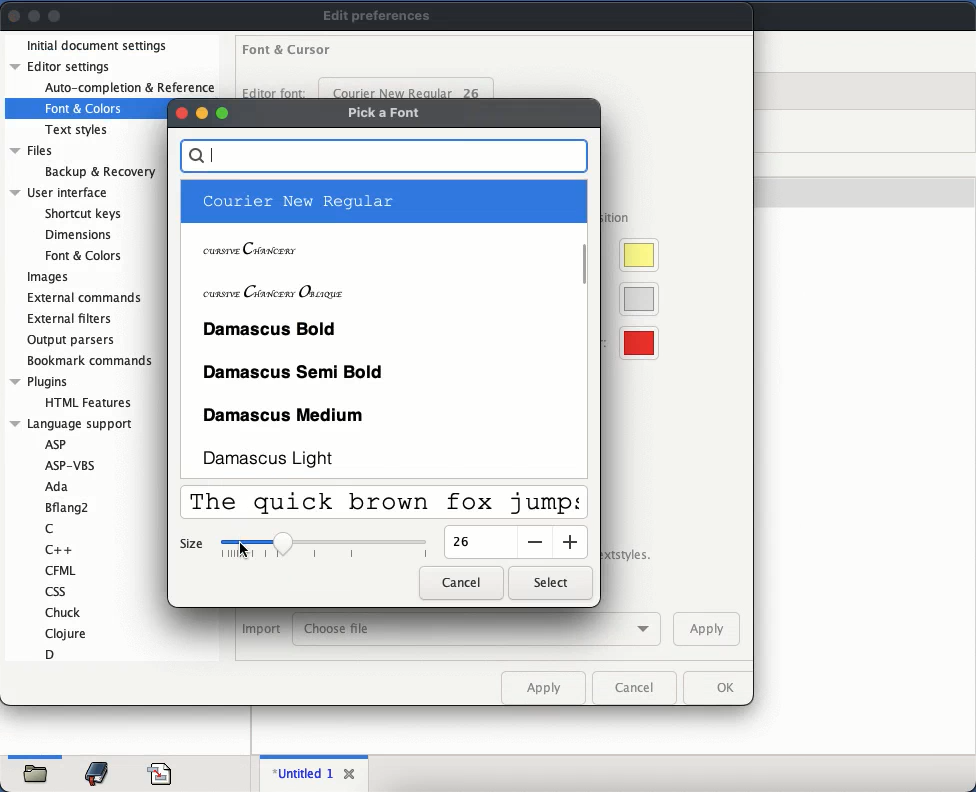 The height and width of the screenshot is (792, 976). What do you see at coordinates (298, 200) in the screenshot?
I see `Courier New Regular` at bounding box center [298, 200].